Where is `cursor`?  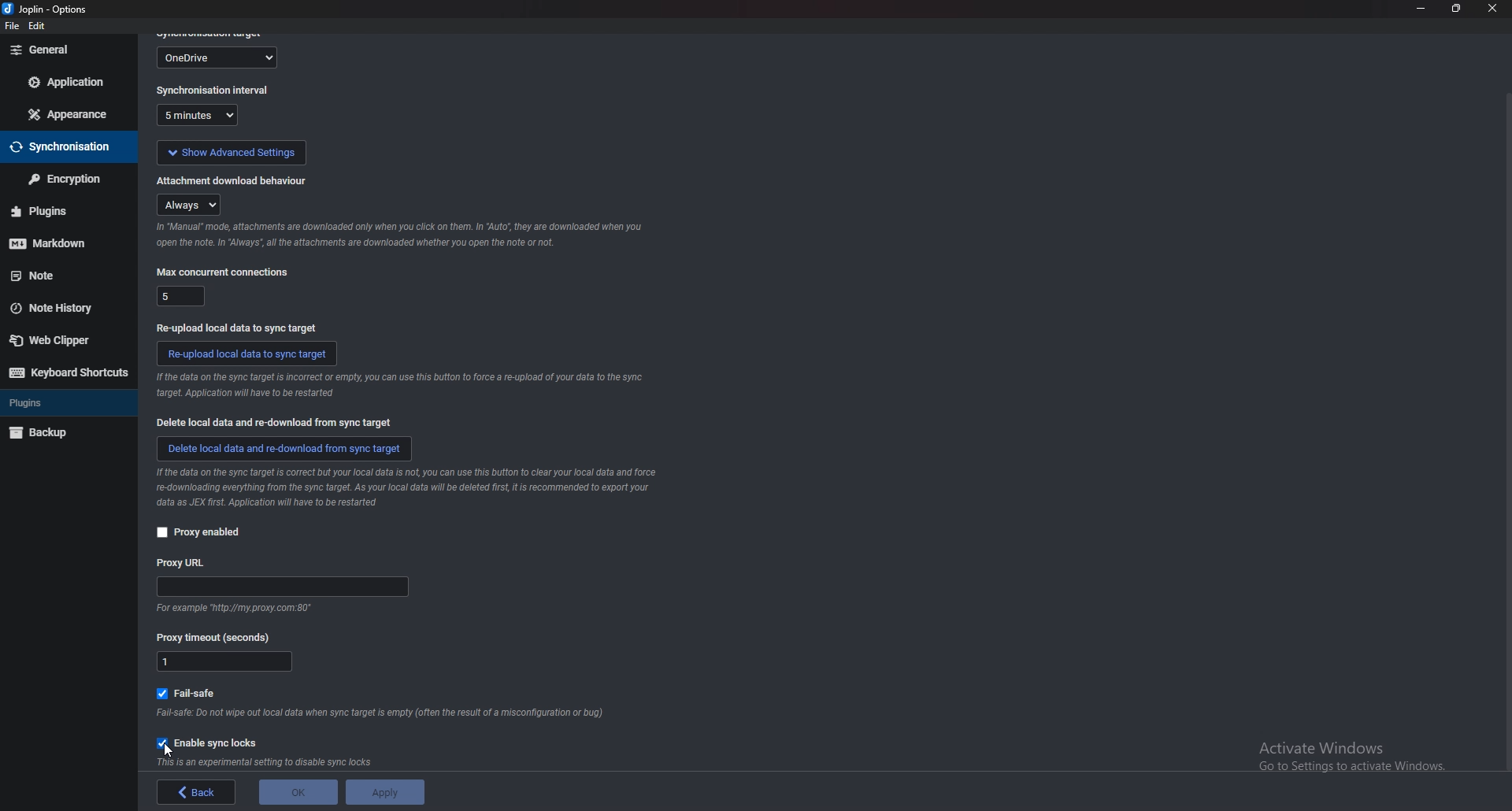
cursor is located at coordinates (168, 750).